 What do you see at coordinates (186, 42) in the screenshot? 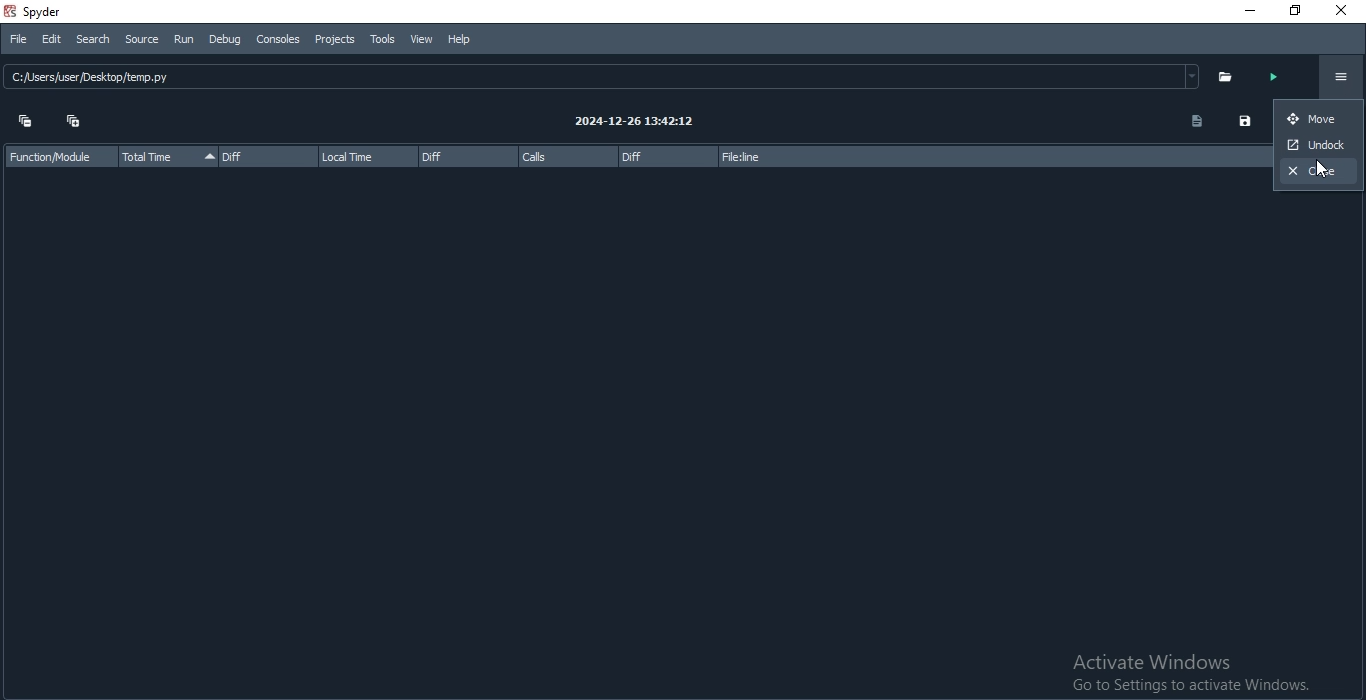
I see `Run` at bounding box center [186, 42].